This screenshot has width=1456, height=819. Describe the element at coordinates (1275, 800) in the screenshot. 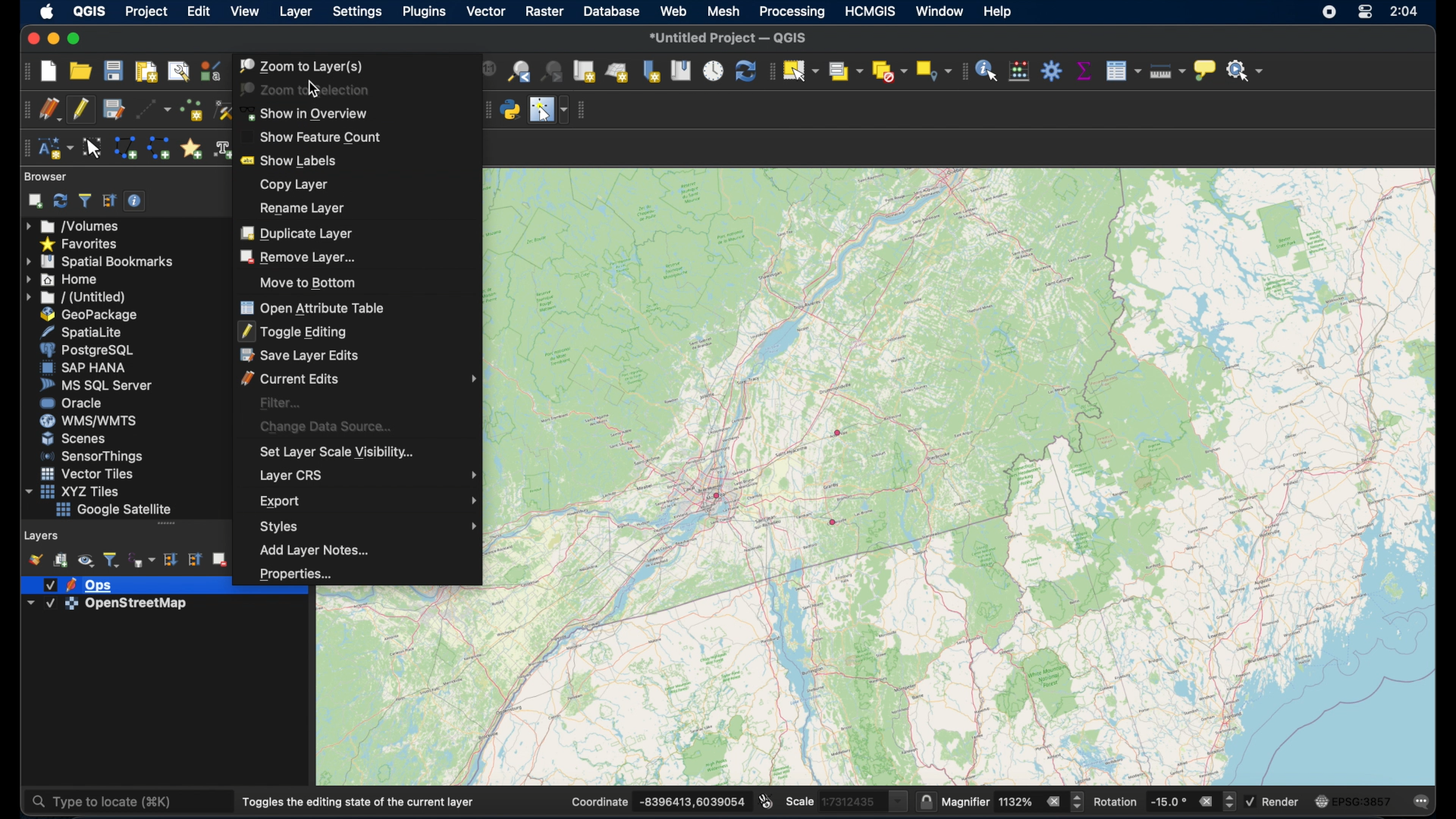

I see `render` at that location.